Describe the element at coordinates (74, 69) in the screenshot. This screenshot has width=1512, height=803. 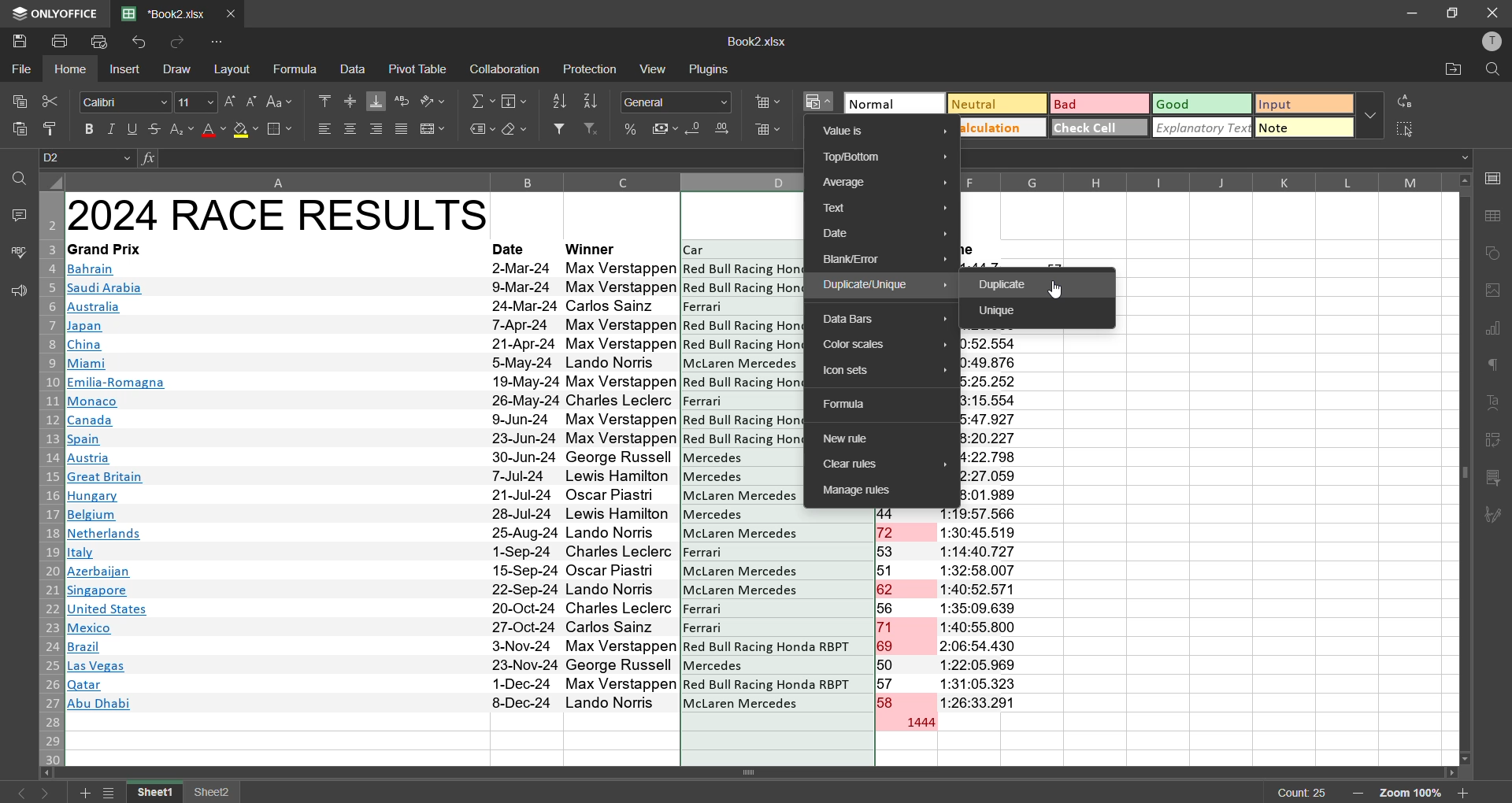
I see `home` at that location.